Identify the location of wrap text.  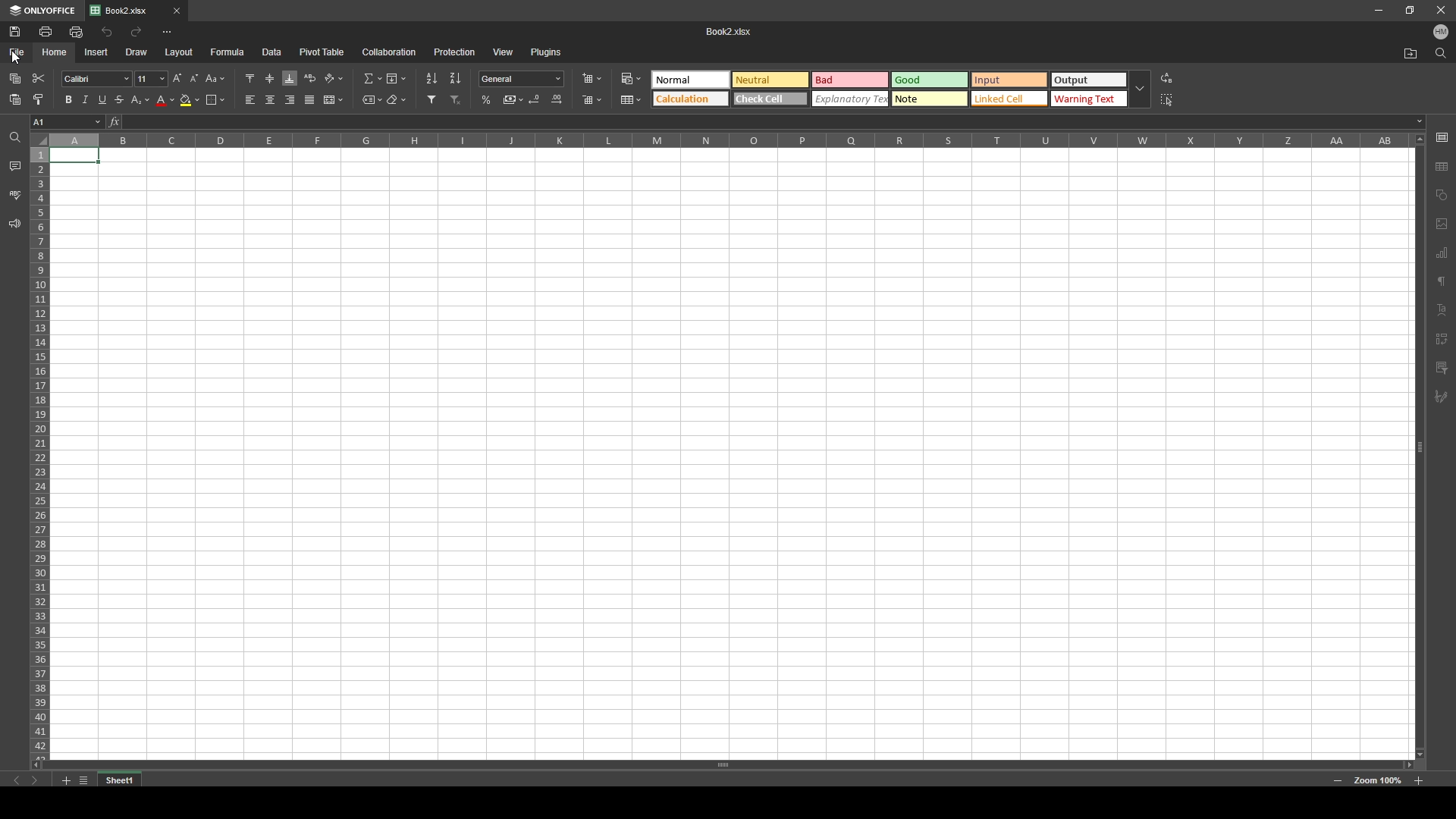
(312, 78).